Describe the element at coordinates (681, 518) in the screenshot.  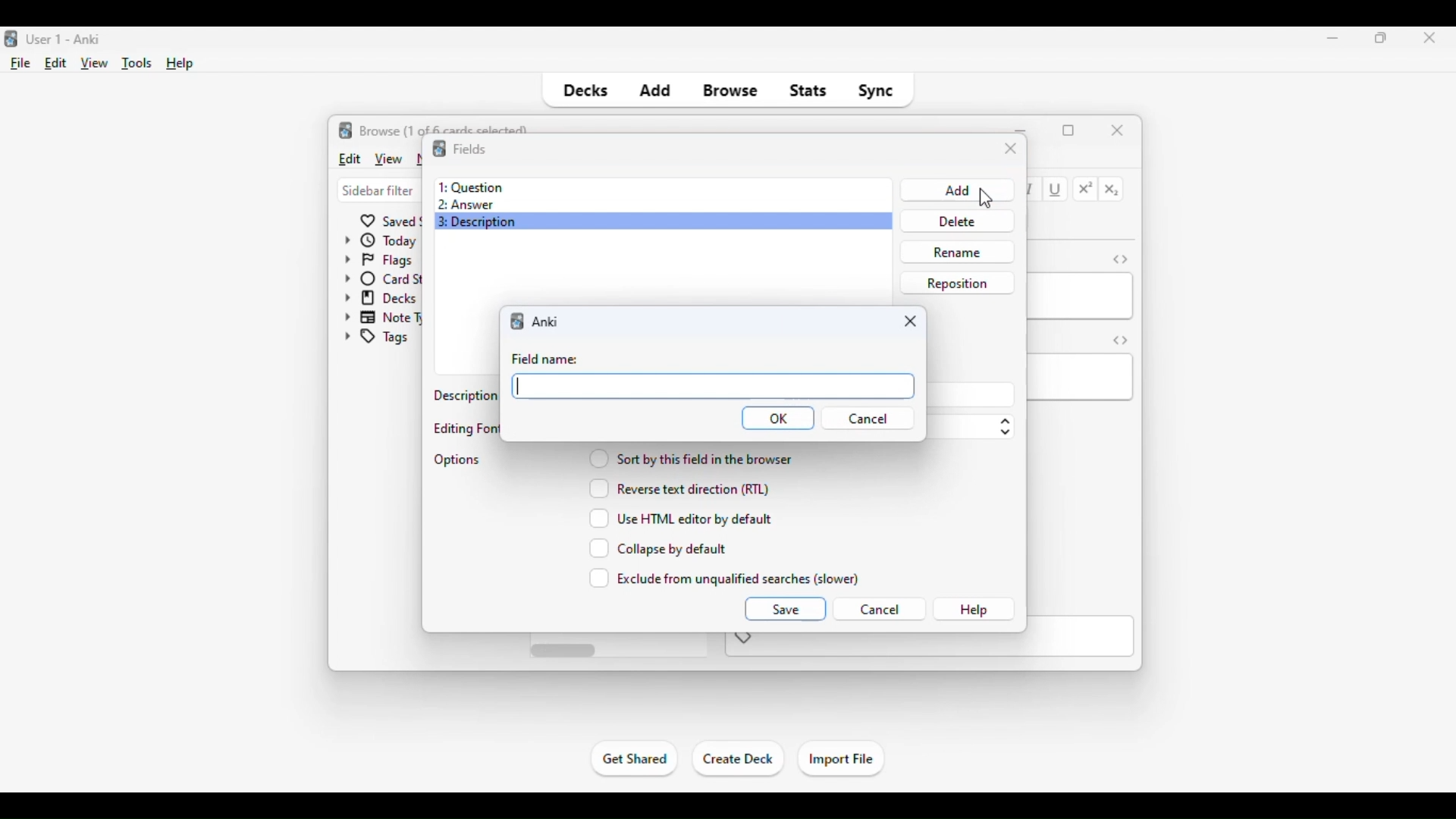
I see `use HTML editor by default` at that location.